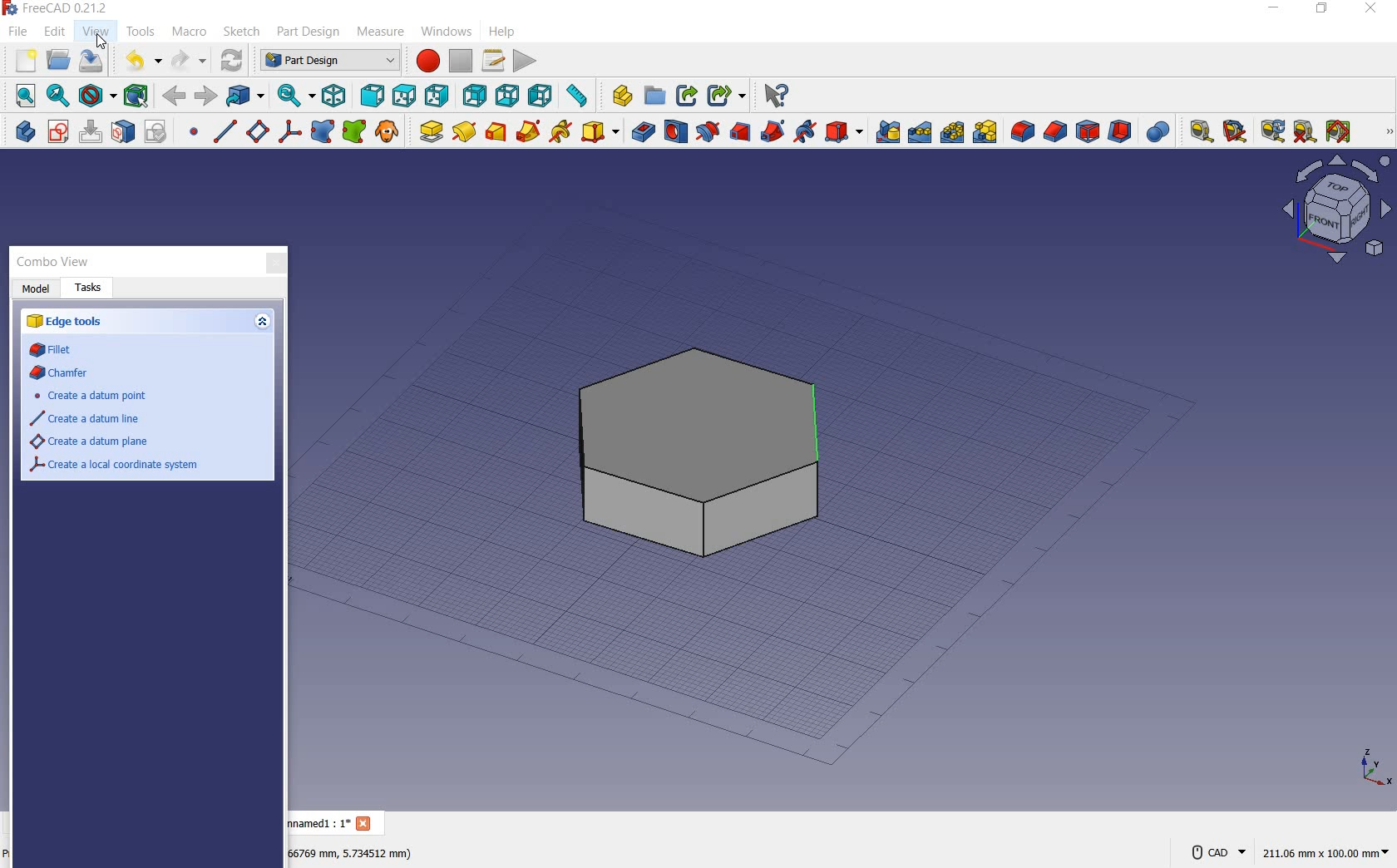 Image resolution: width=1397 pixels, height=868 pixels. I want to click on expand, so click(260, 323).